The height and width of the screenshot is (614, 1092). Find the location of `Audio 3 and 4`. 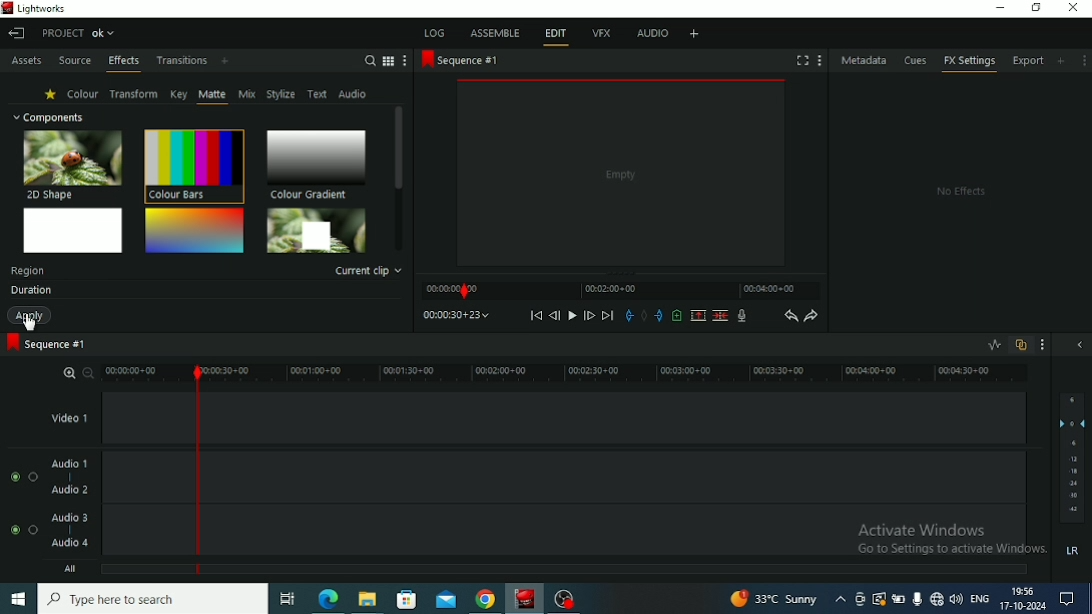

Audio 3 and 4 is located at coordinates (626, 532).